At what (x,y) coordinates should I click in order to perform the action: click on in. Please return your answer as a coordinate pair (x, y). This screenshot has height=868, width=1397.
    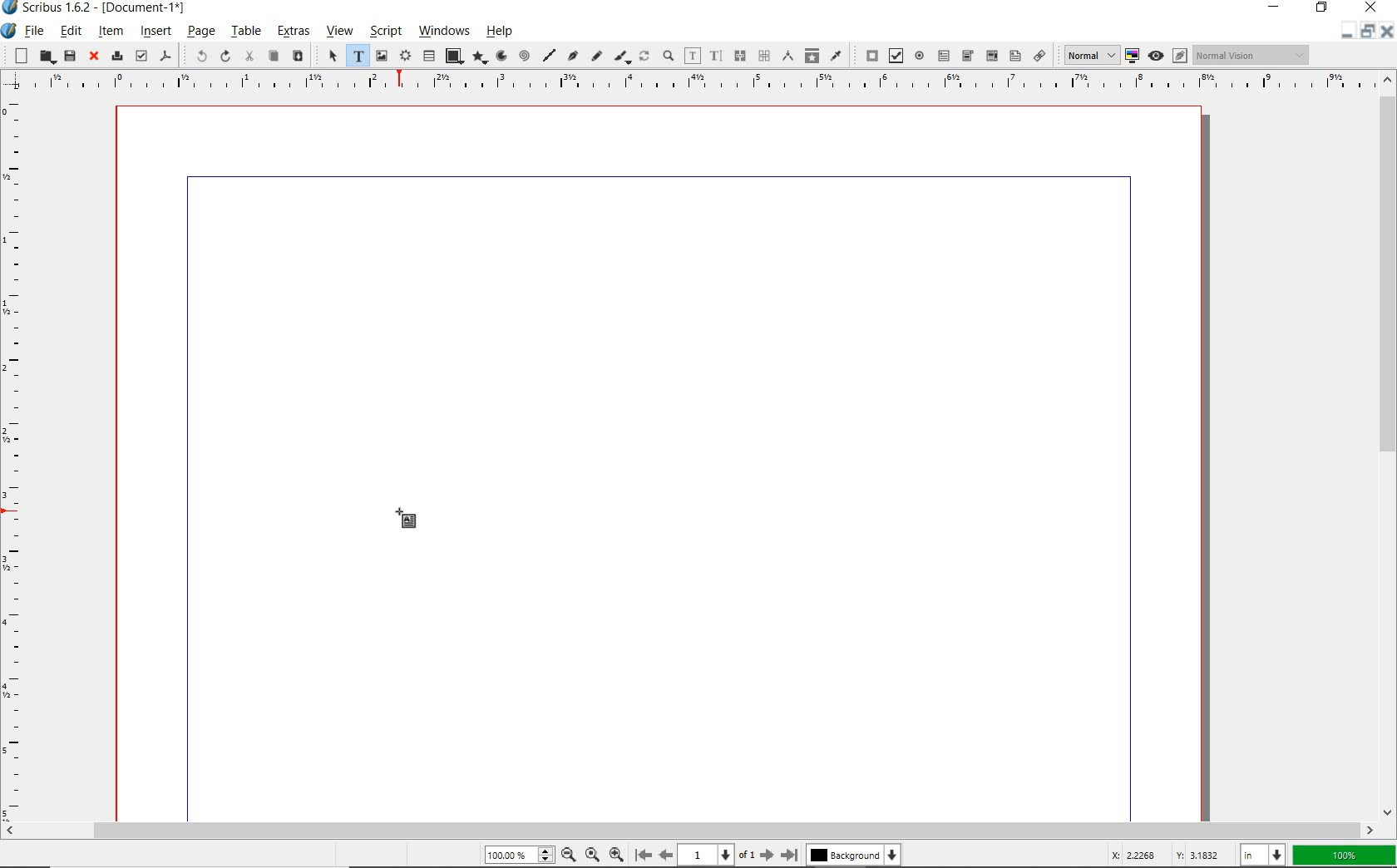
    Looking at the image, I should click on (1265, 854).